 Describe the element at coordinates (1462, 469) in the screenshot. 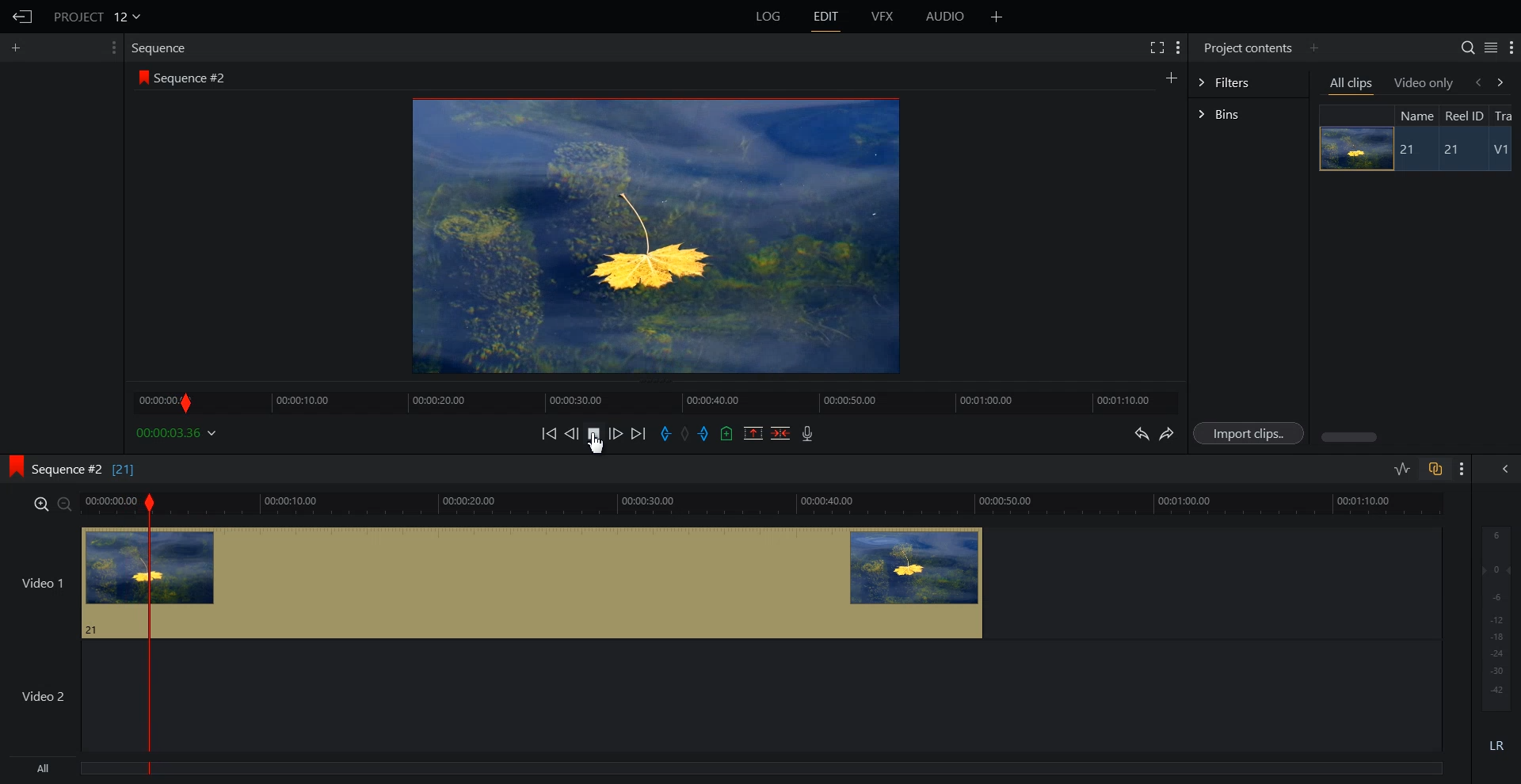

I see `Show setting menu` at that location.